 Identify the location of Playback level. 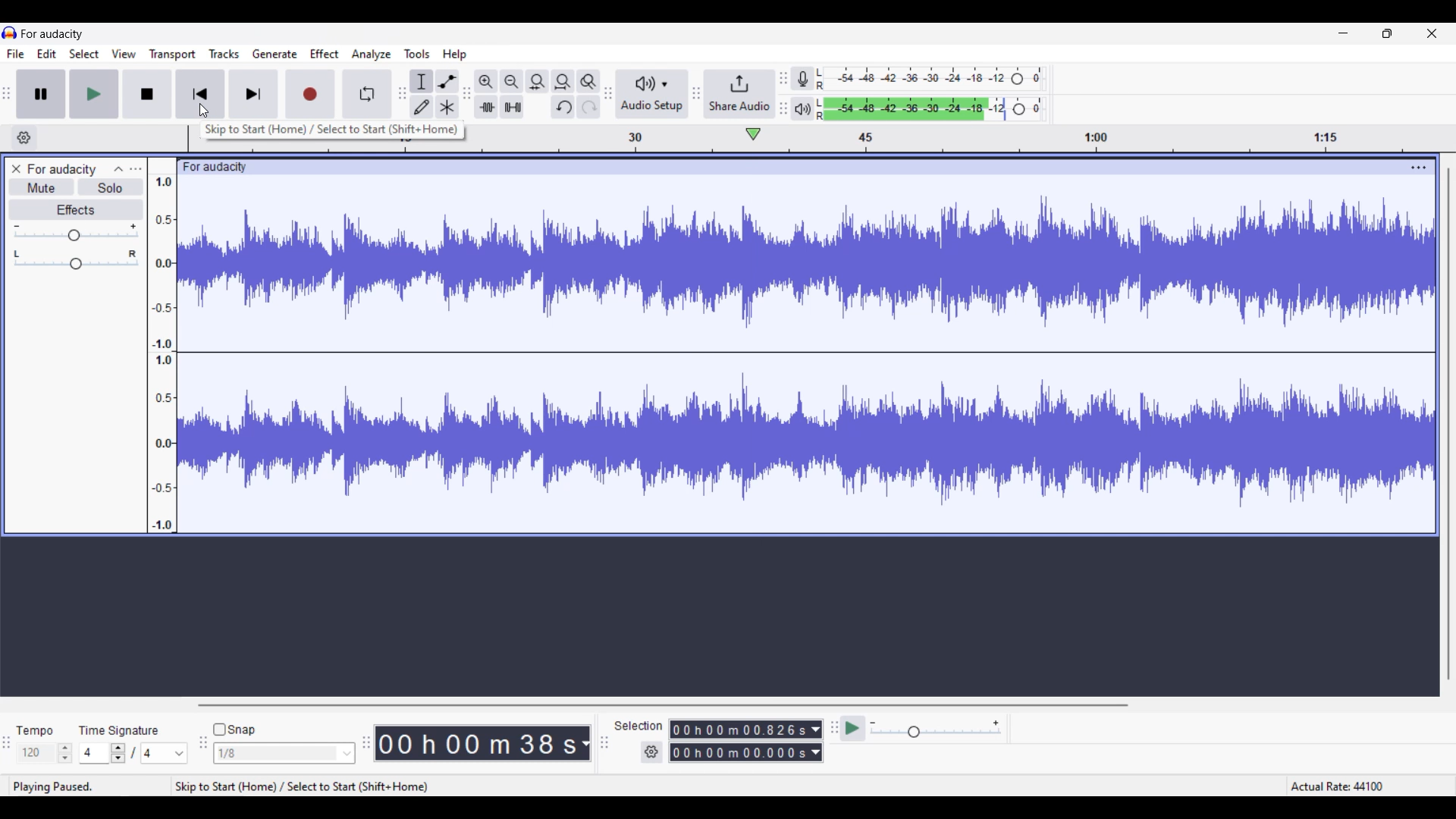
(931, 108).